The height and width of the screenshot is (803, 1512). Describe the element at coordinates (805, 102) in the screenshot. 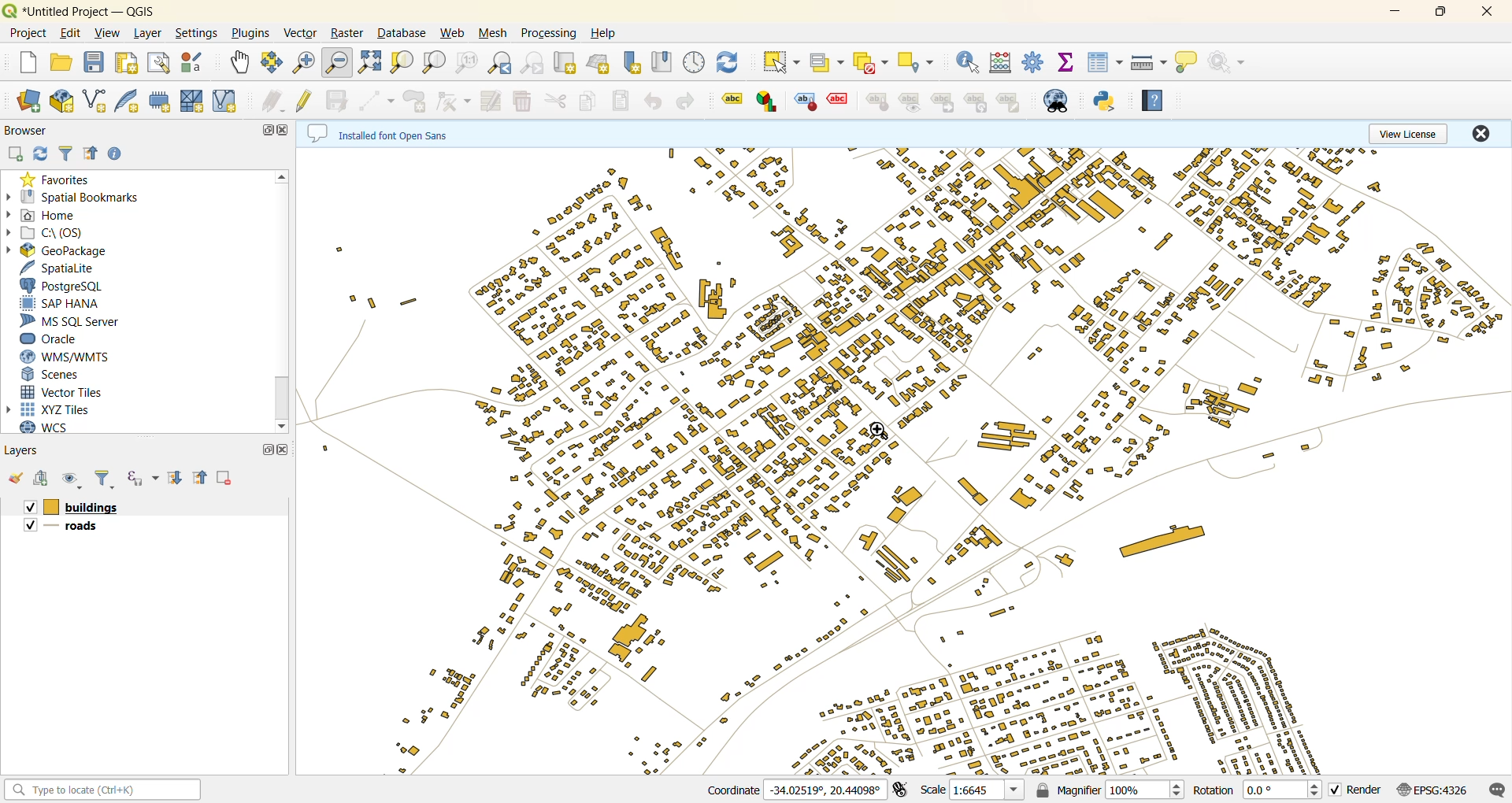

I see `label` at that location.